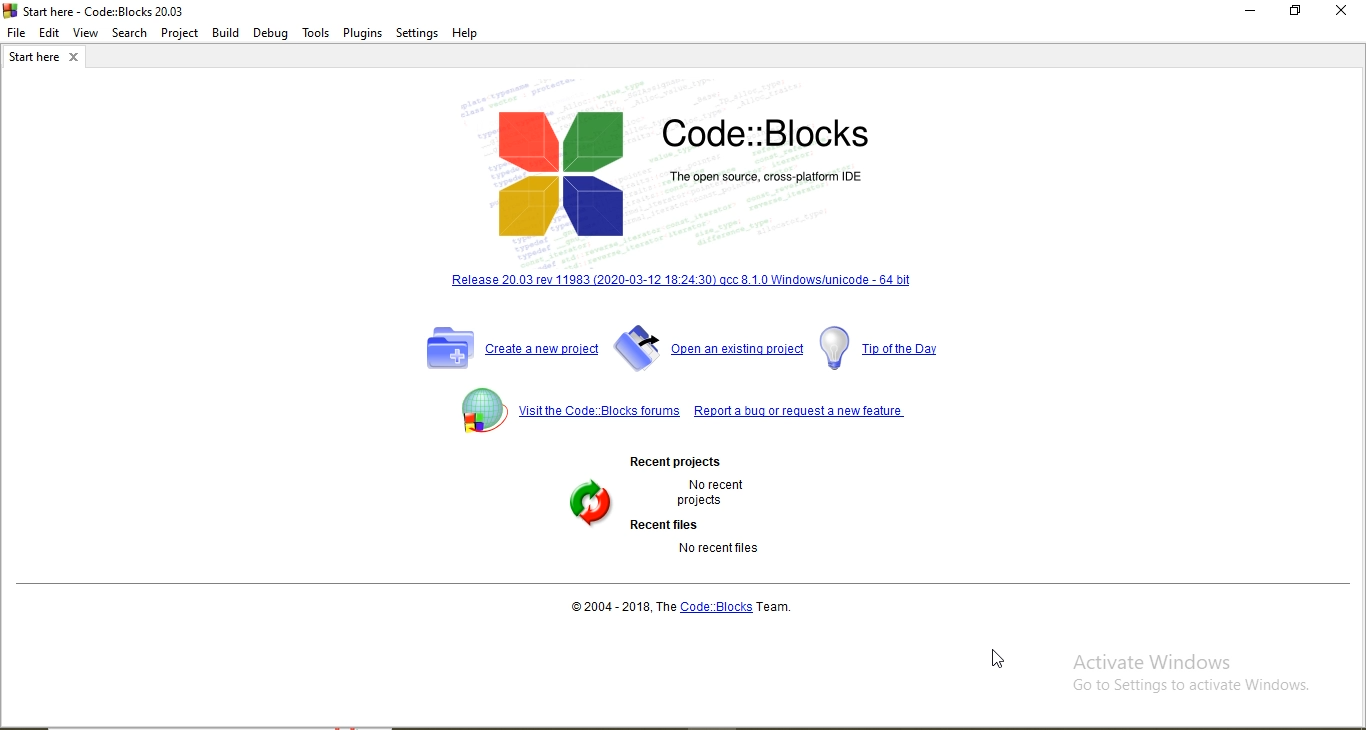 The width and height of the screenshot is (1366, 730). I want to click on Open an existing project, so click(709, 348).